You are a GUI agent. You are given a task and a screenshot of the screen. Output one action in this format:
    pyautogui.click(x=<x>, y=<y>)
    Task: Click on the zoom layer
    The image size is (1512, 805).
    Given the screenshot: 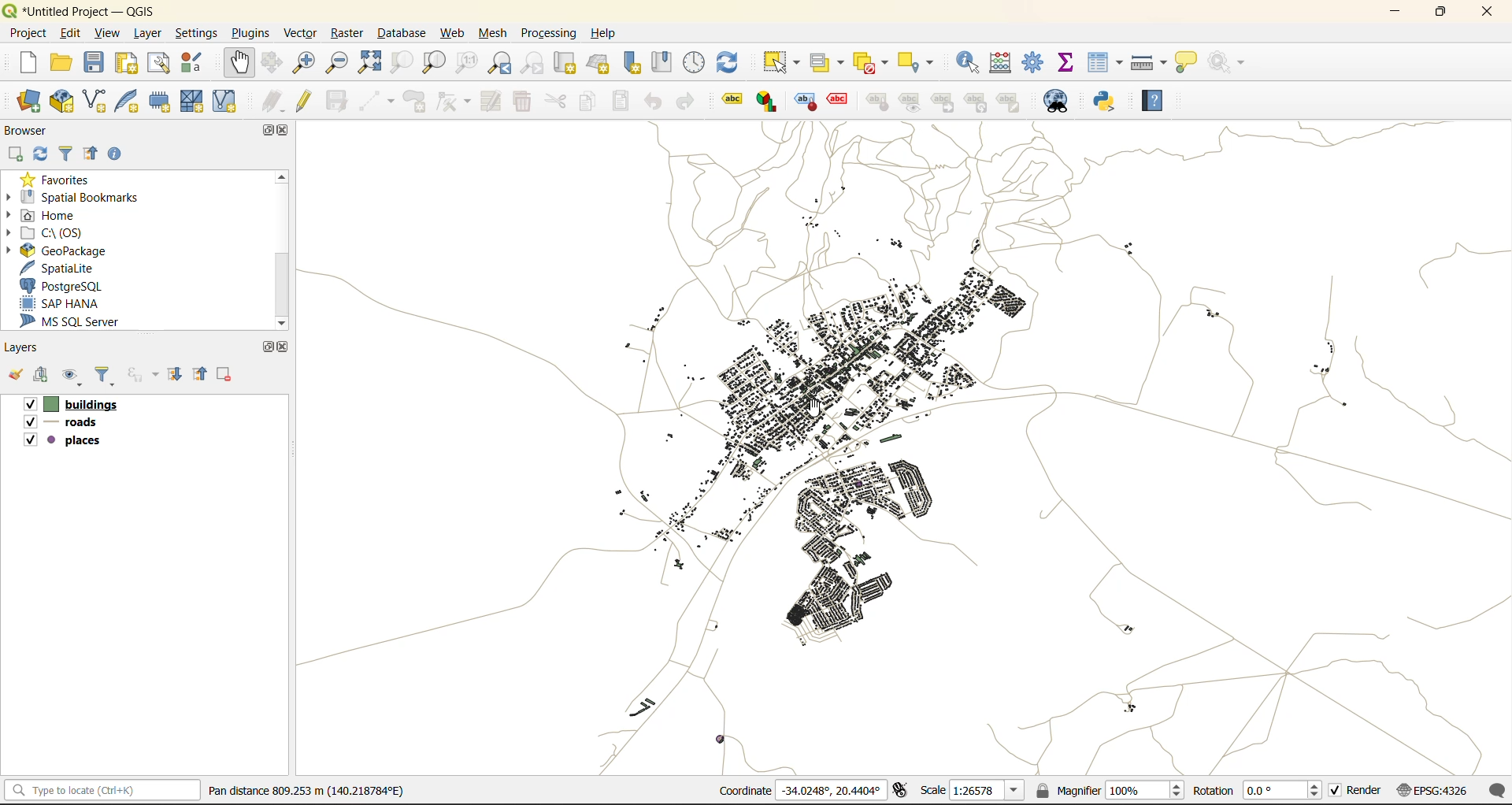 What is the action you would take?
    pyautogui.click(x=433, y=63)
    